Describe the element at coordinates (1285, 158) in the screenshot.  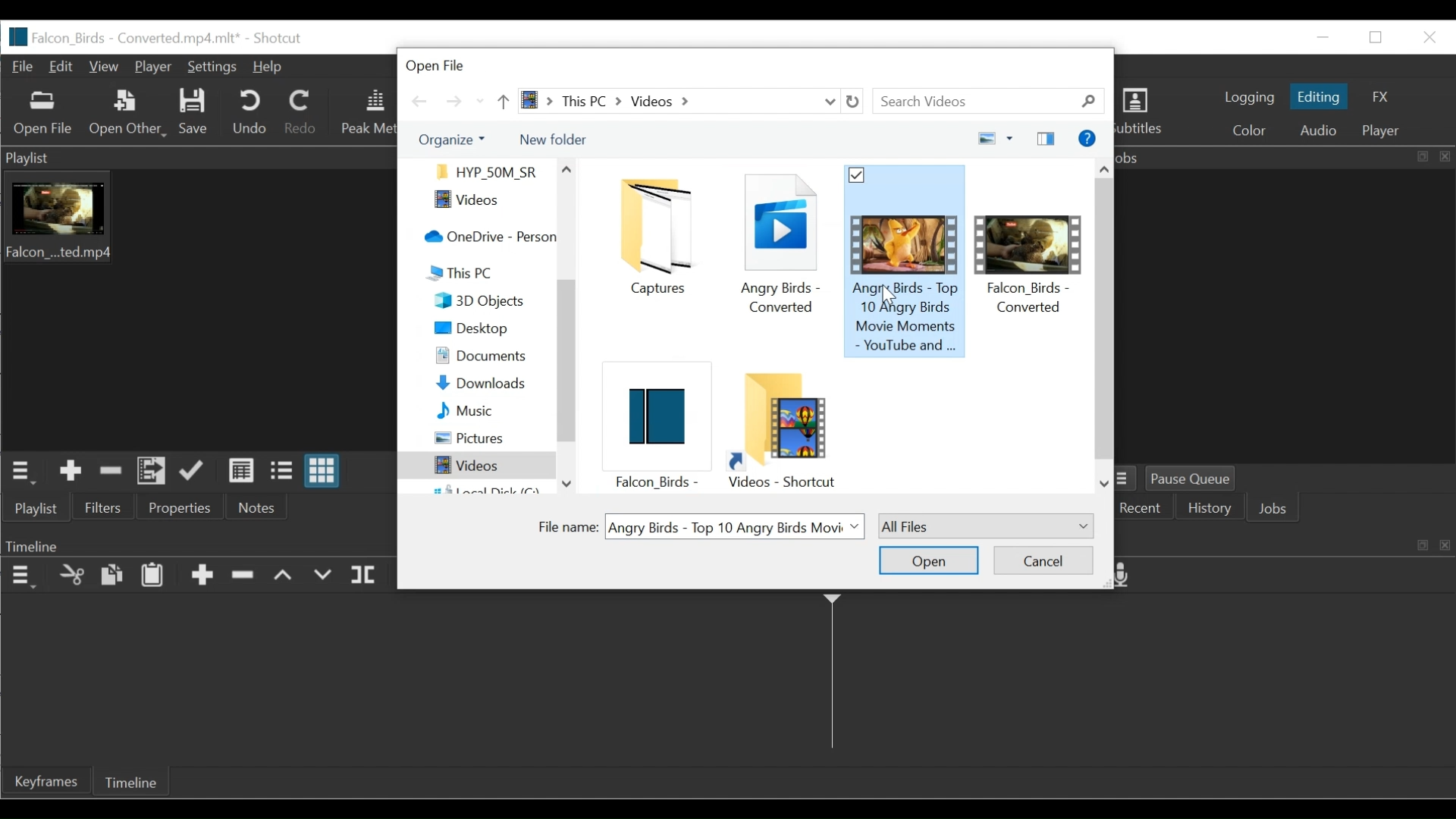
I see `Jobs Panel` at that location.